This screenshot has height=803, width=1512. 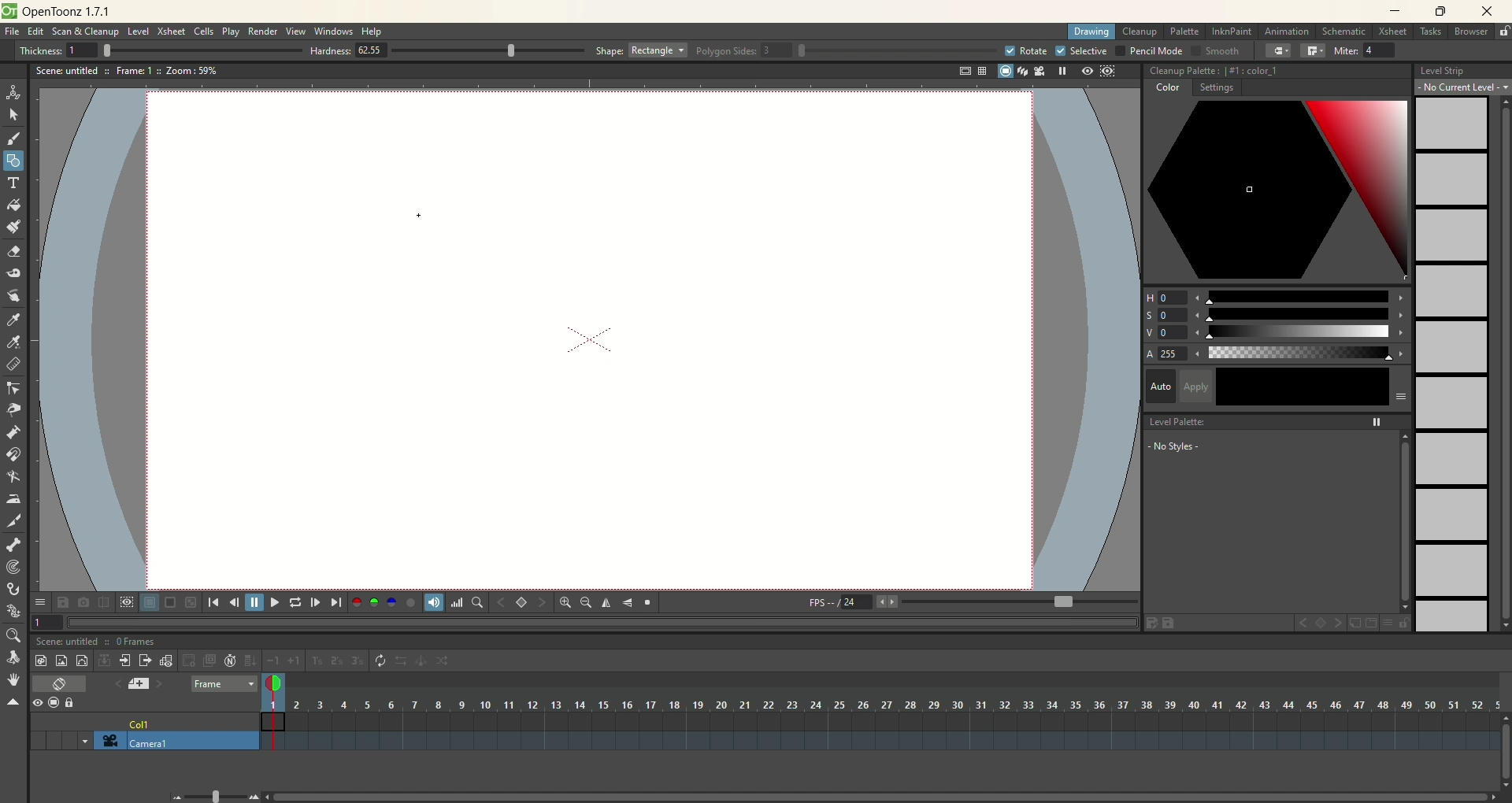 What do you see at coordinates (1276, 315) in the screenshot?
I see `saturation` at bounding box center [1276, 315].